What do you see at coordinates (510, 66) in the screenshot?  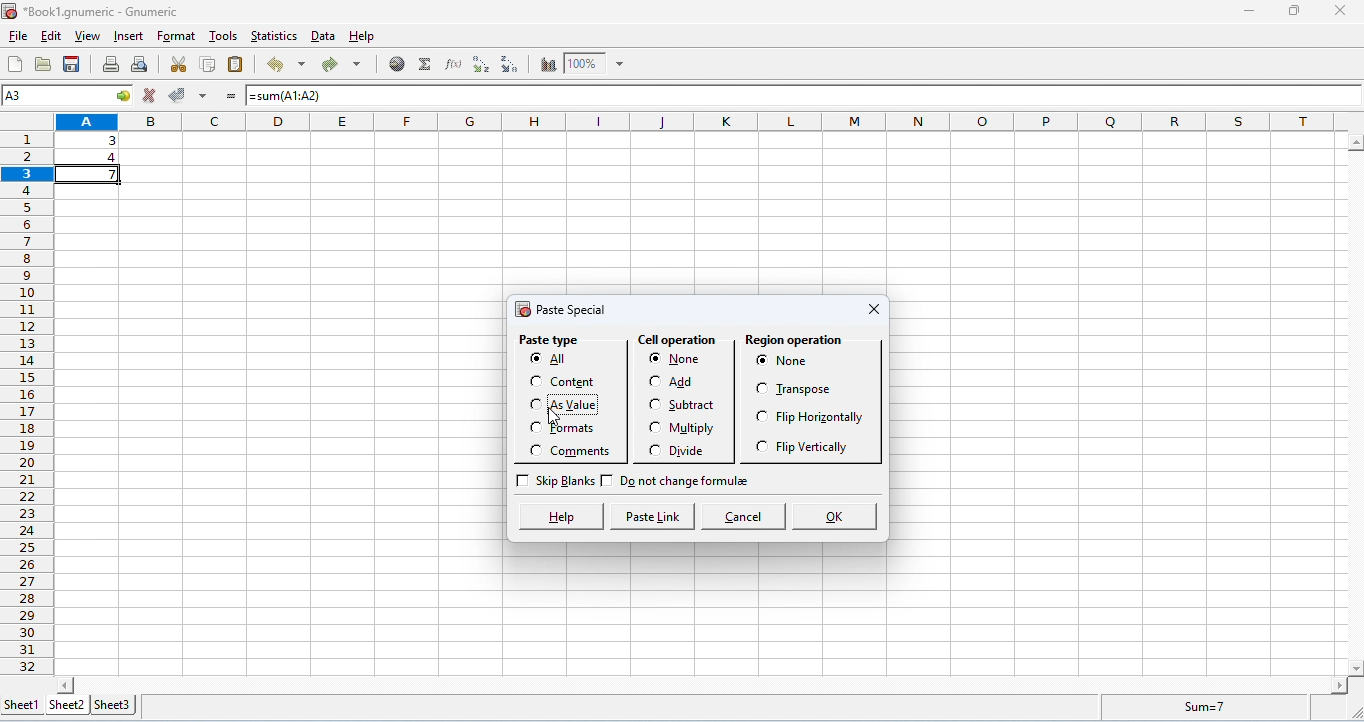 I see `sort descending` at bounding box center [510, 66].